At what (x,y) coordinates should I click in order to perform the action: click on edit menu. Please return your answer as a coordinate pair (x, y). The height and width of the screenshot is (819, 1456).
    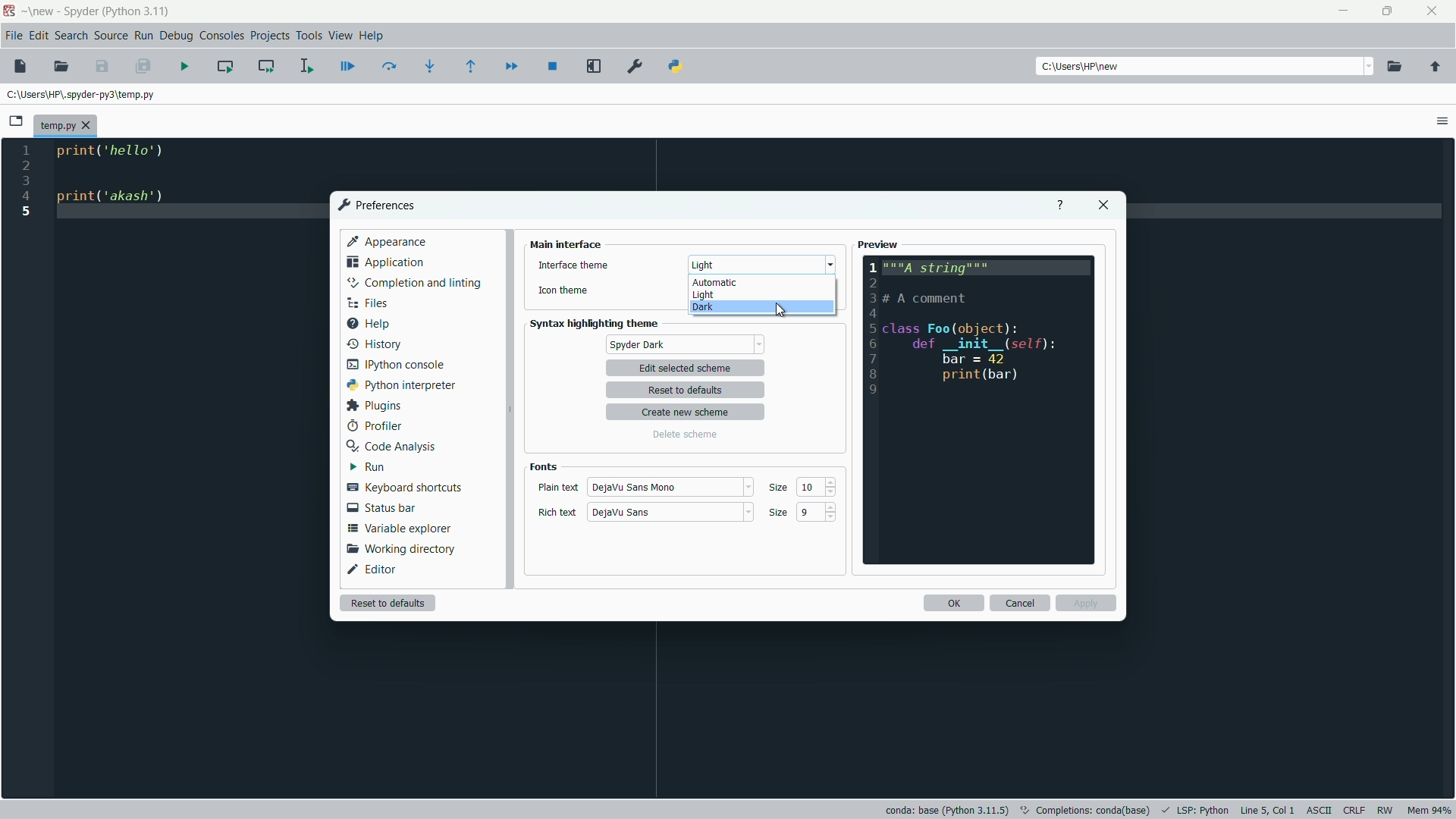
    Looking at the image, I should click on (39, 35).